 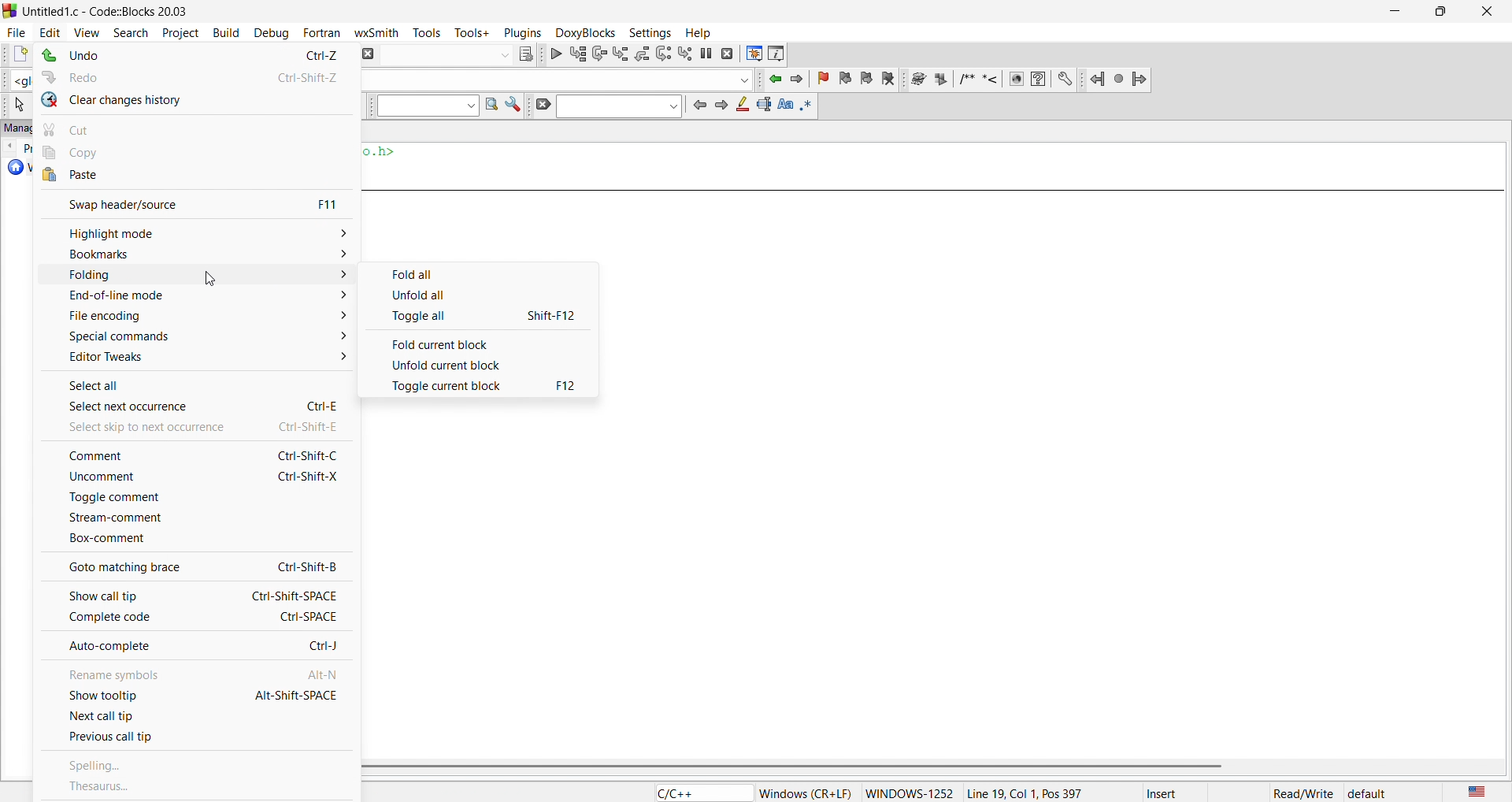 I want to click on debug, so click(x=269, y=32).